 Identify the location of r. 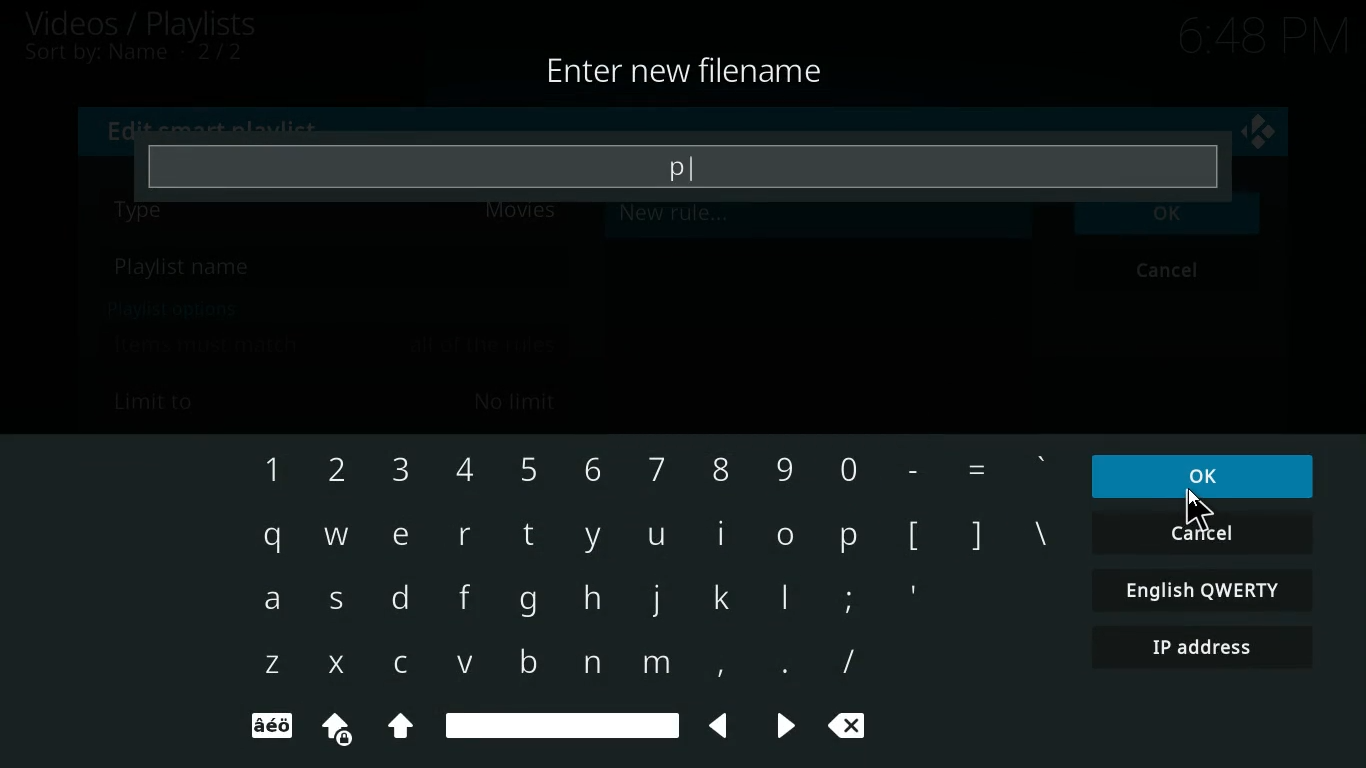
(465, 534).